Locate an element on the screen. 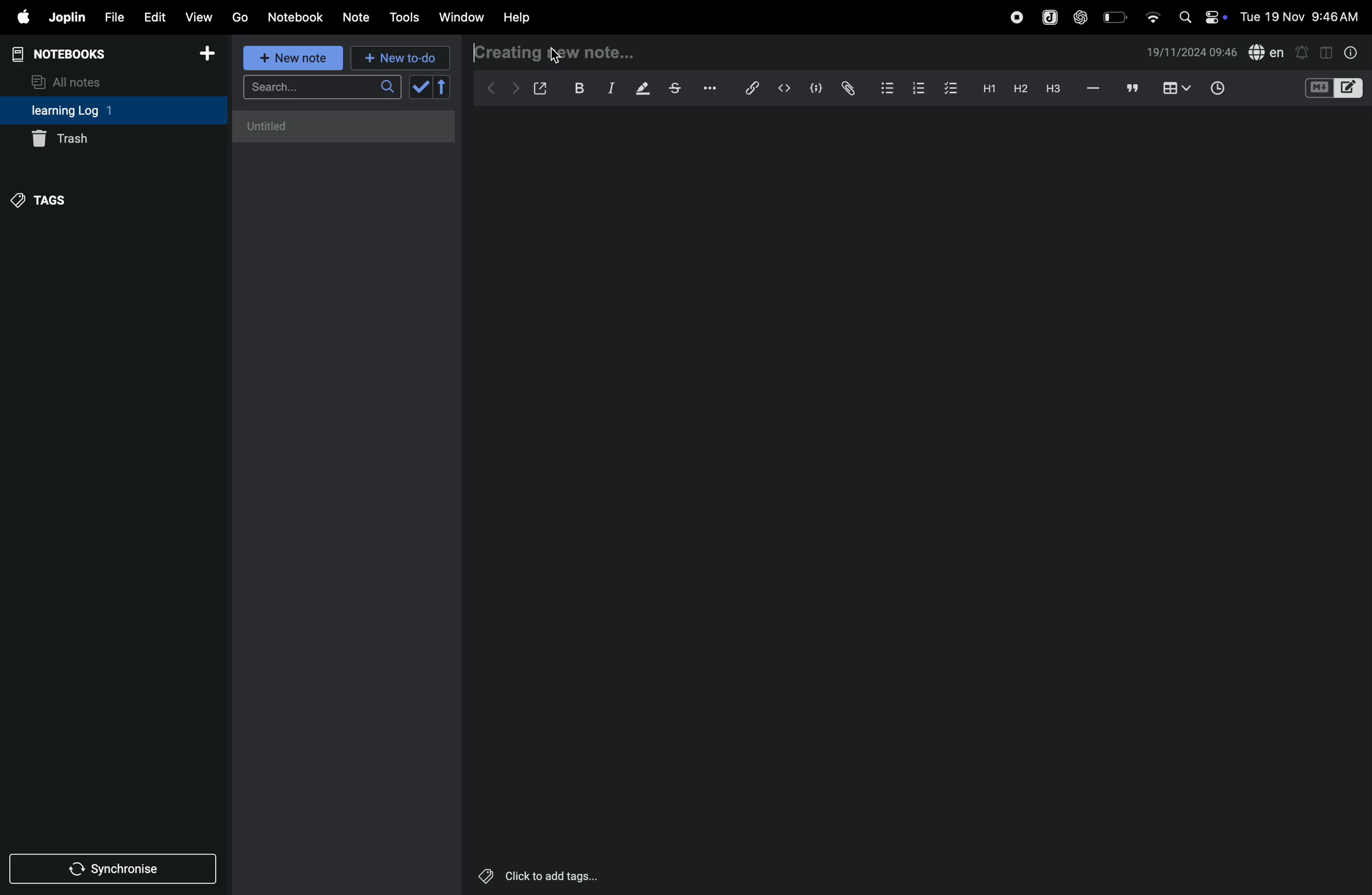 The image size is (1372, 895). toggle editor layout is located at coordinates (1327, 51).